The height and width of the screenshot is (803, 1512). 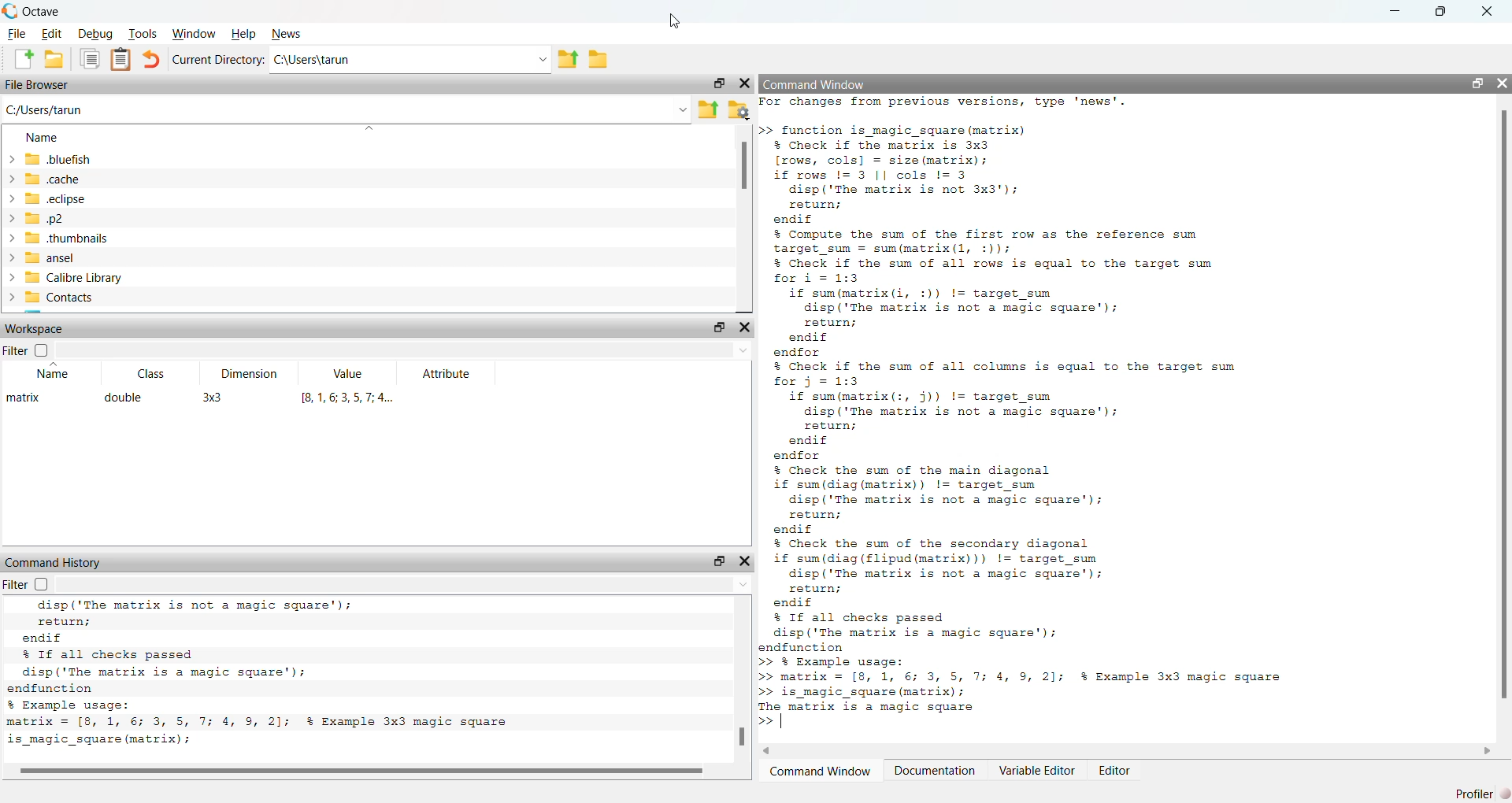 What do you see at coordinates (768, 751) in the screenshot?
I see `scroll left` at bounding box center [768, 751].